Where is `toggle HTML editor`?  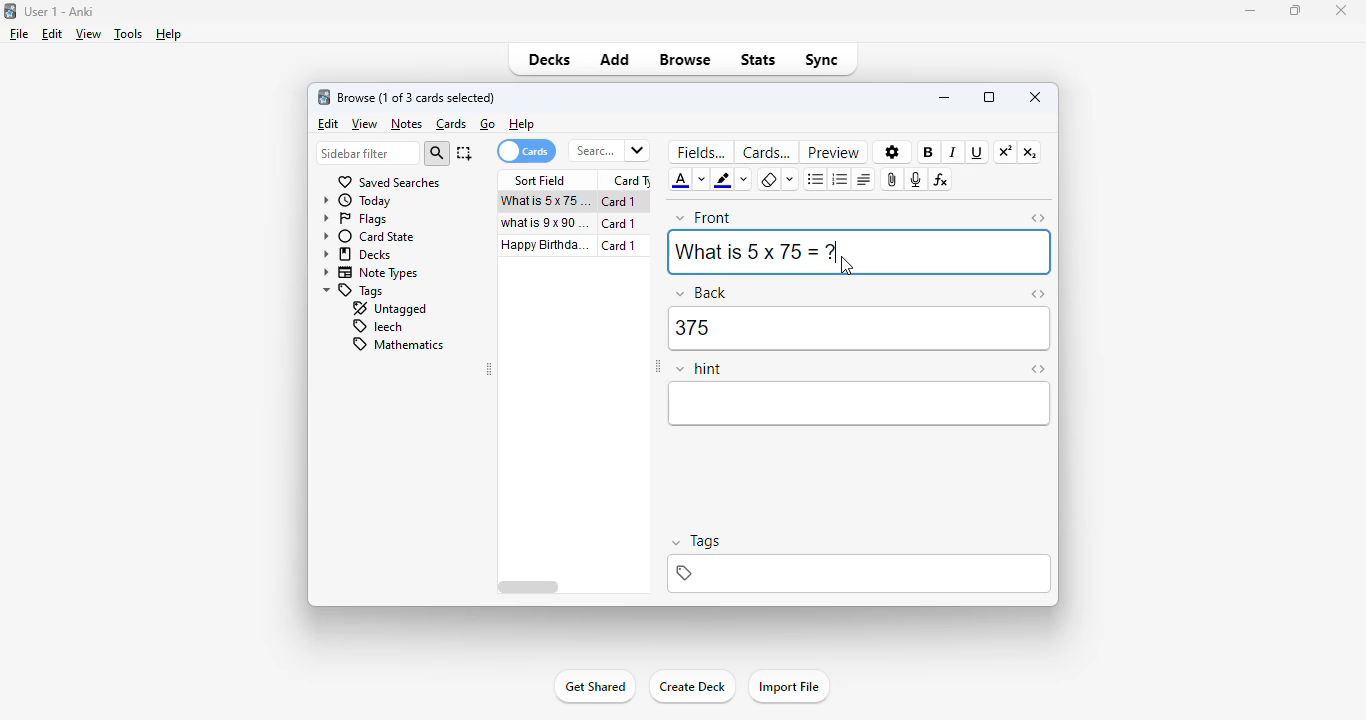
toggle HTML editor is located at coordinates (1037, 295).